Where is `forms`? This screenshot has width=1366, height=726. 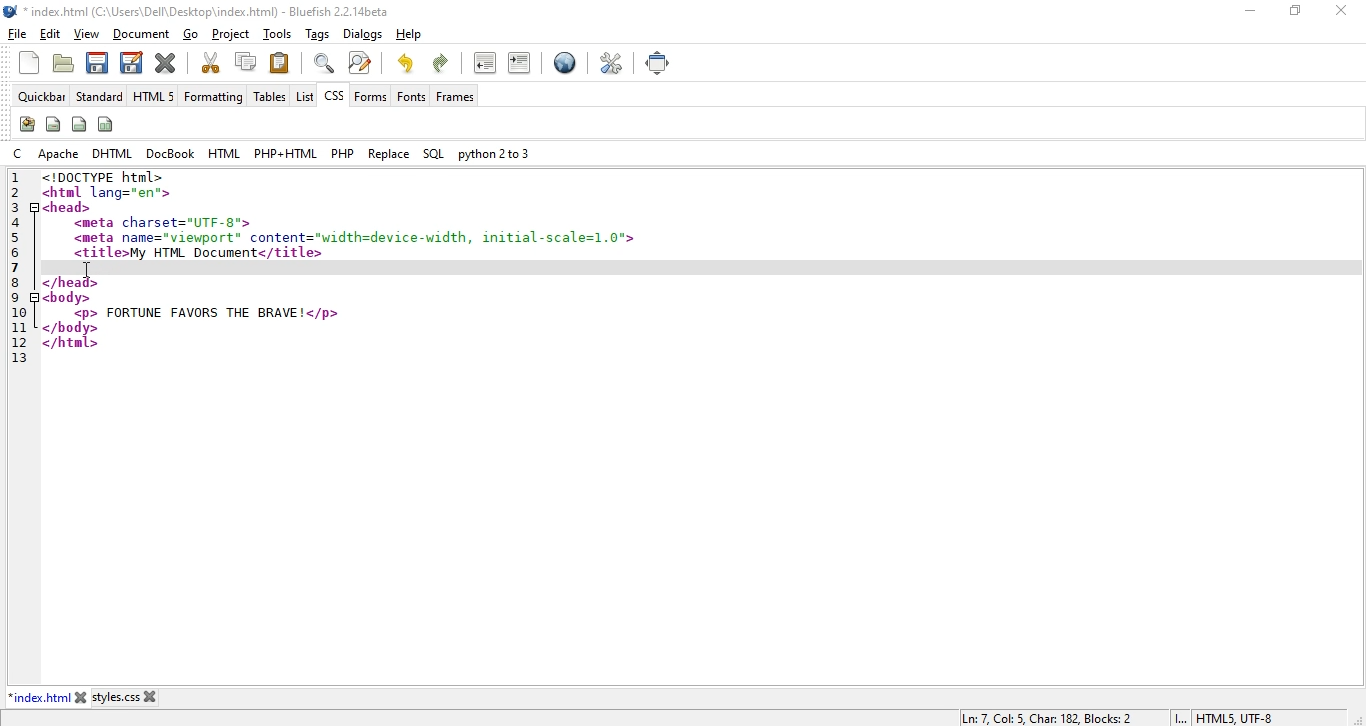 forms is located at coordinates (372, 96).